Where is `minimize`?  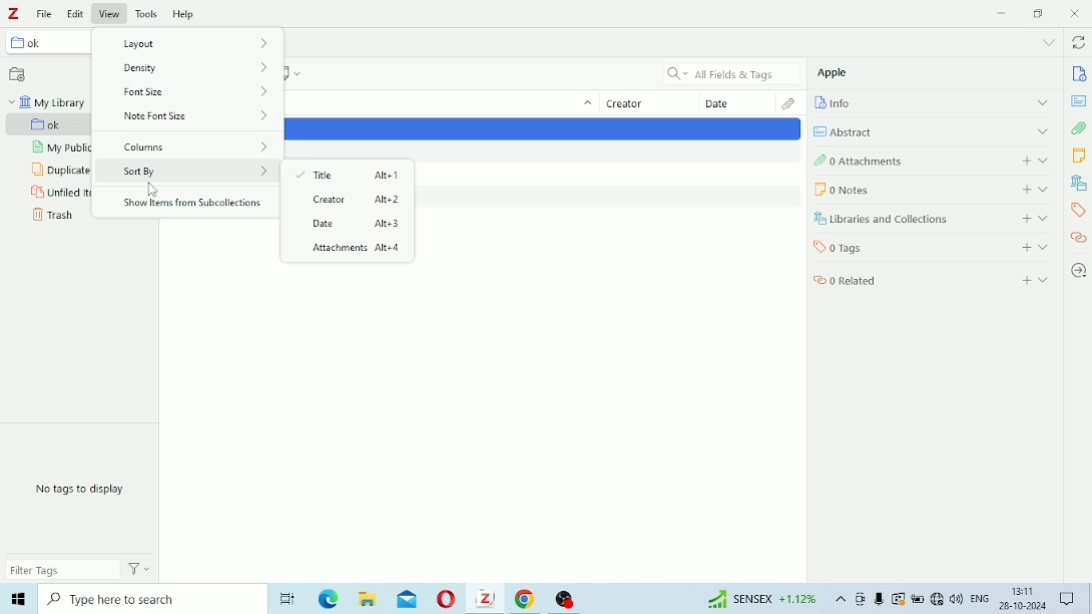
minimize is located at coordinates (1002, 12).